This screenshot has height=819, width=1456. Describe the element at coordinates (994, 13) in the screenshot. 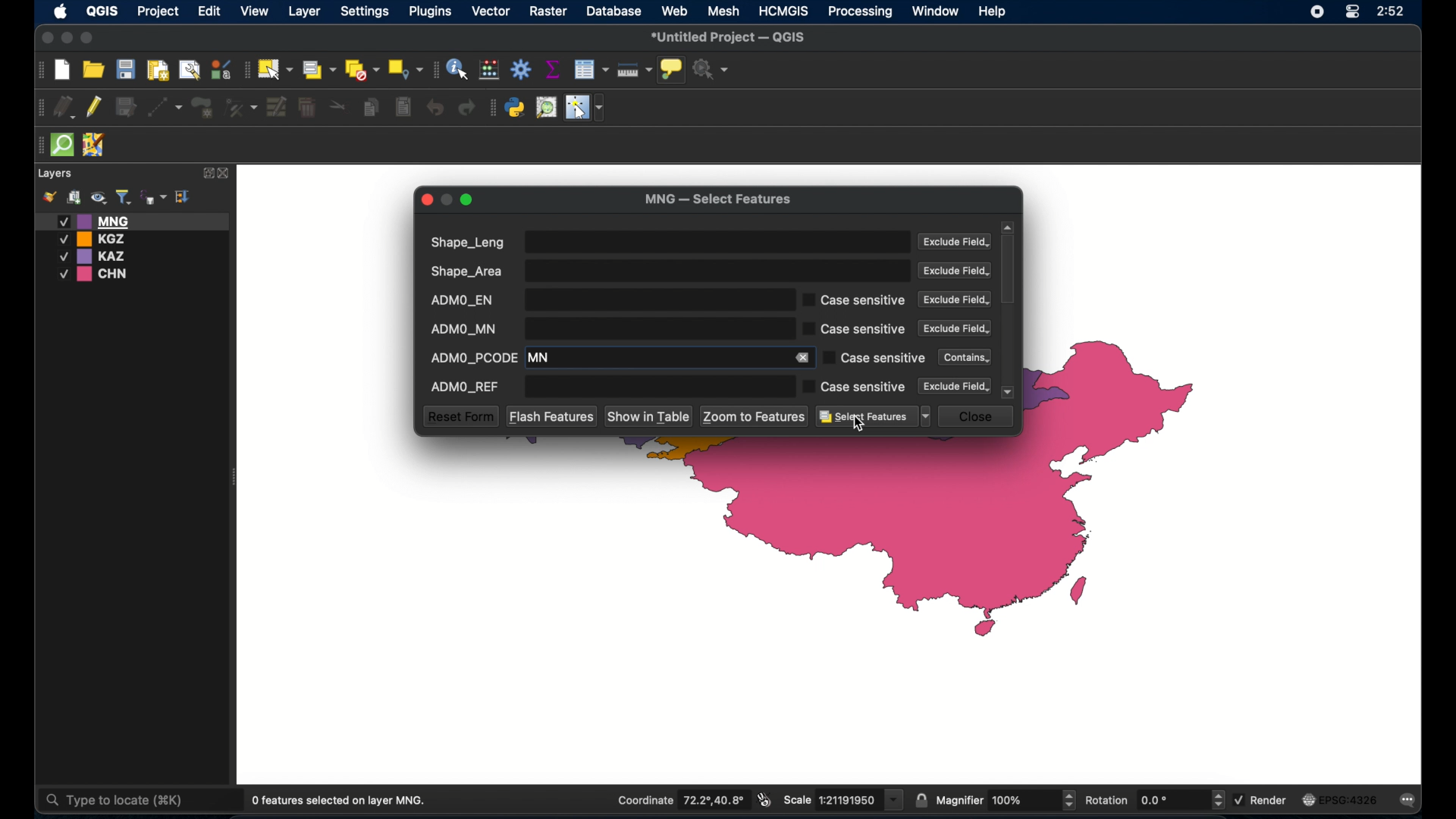

I see `help` at that location.